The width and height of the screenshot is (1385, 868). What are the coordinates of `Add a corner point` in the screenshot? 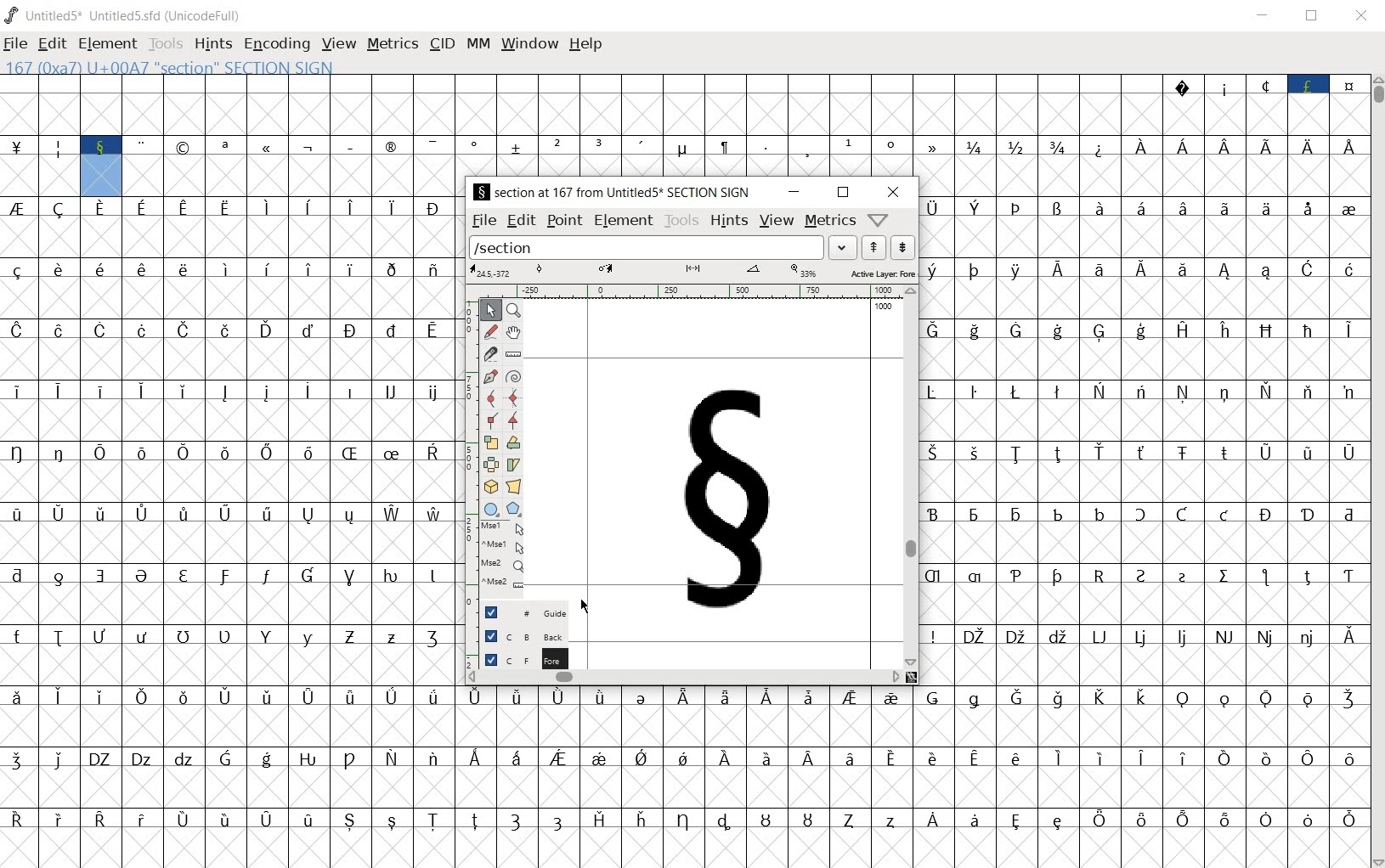 It's located at (512, 420).